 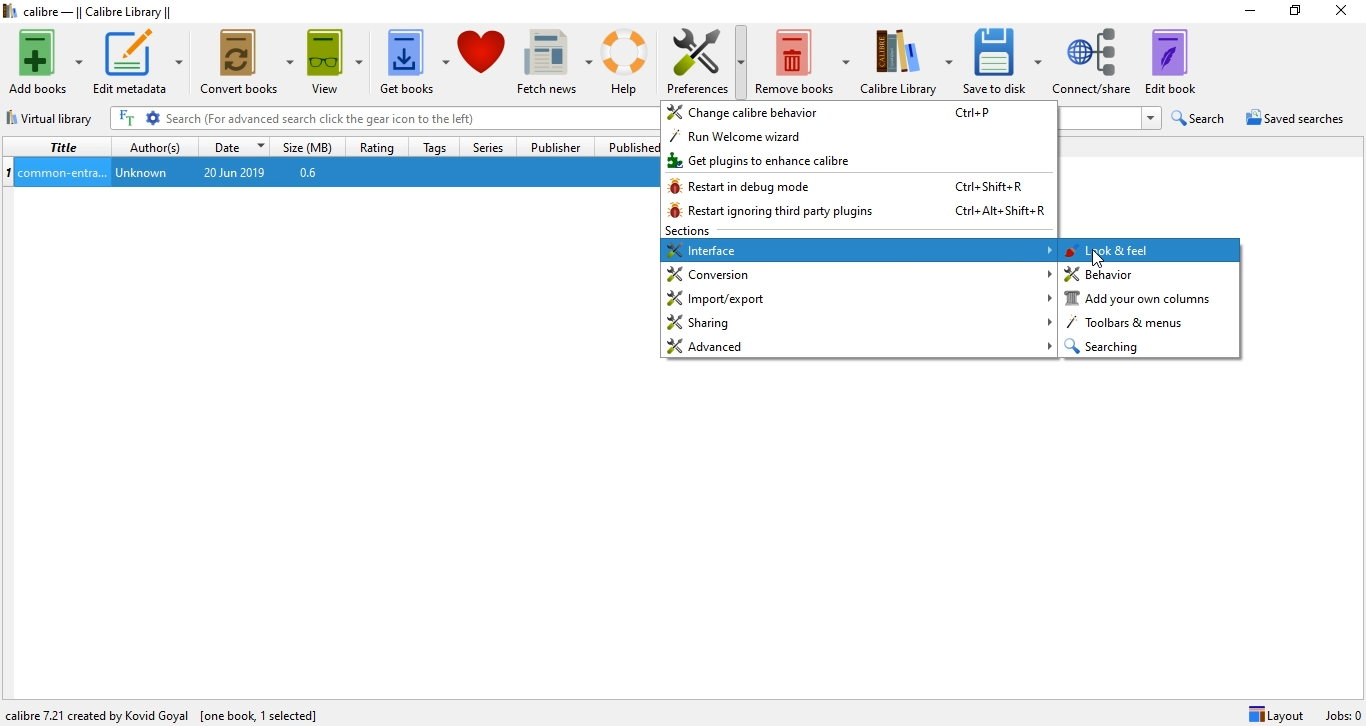 What do you see at coordinates (248, 59) in the screenshot?
I see `Convert books` at bounding box center [248, 59].